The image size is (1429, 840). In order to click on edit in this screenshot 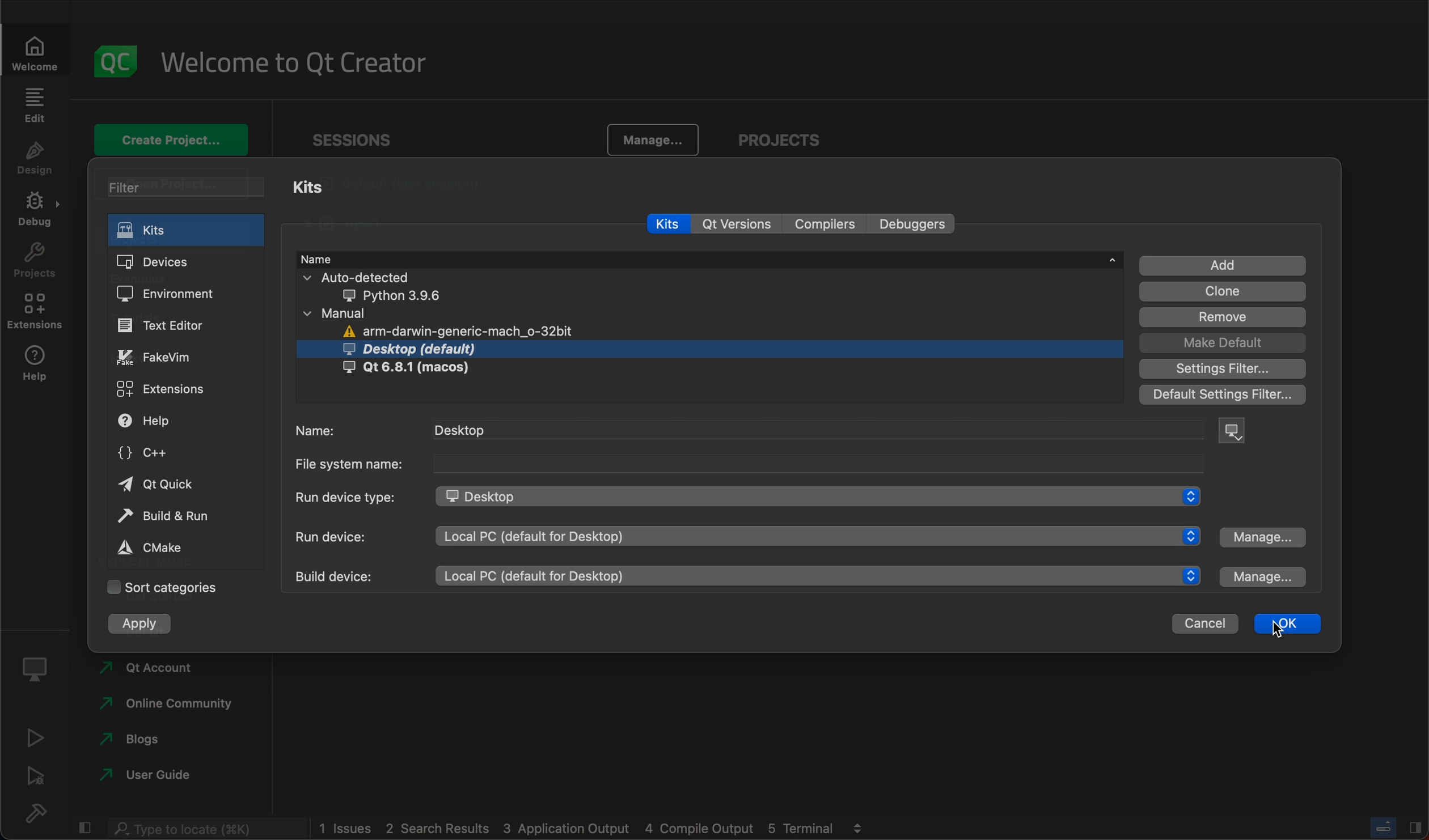, I will do `click(35, 105)`.